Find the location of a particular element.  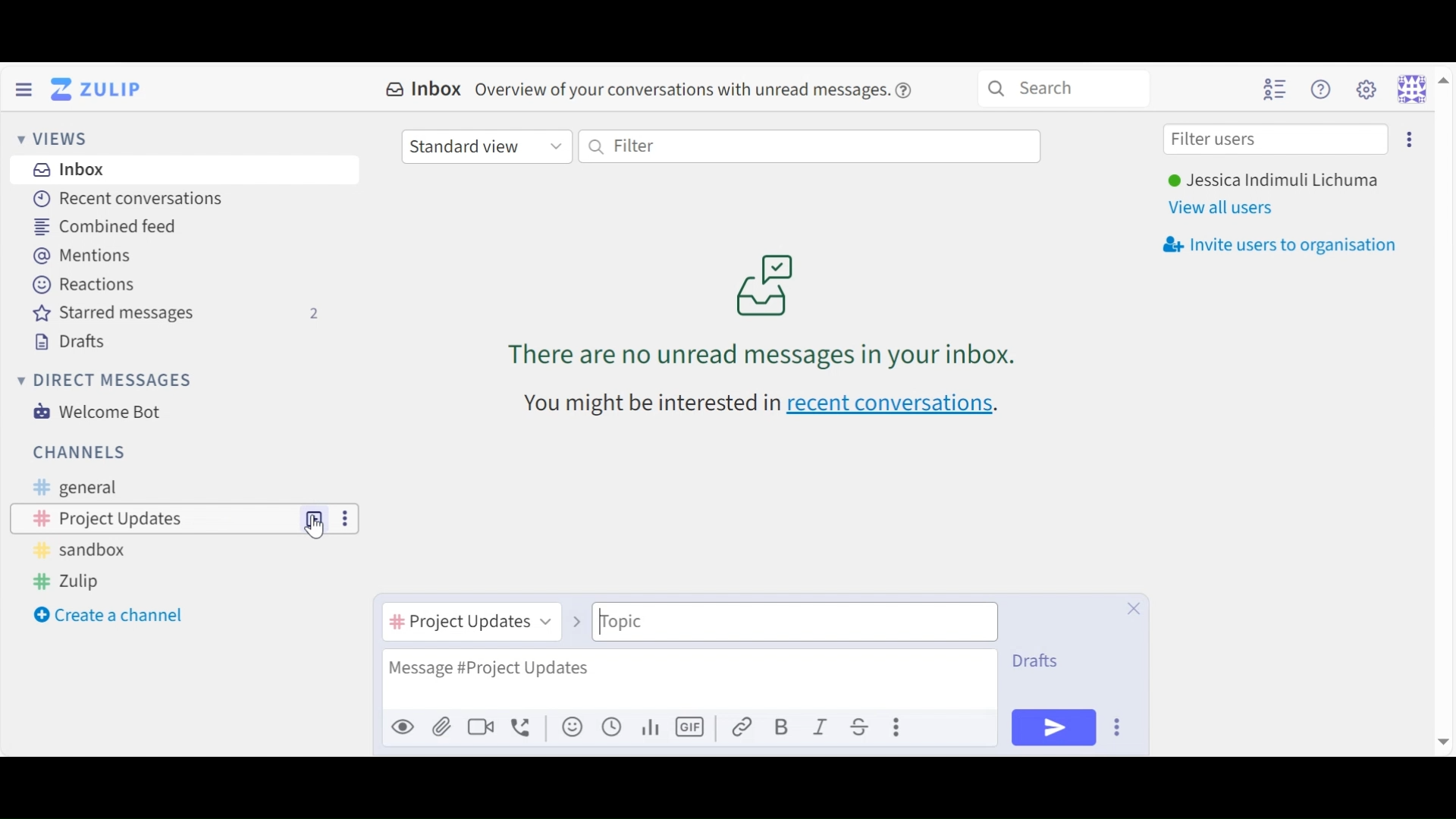

Add global time is located at coordinates (612, 726).